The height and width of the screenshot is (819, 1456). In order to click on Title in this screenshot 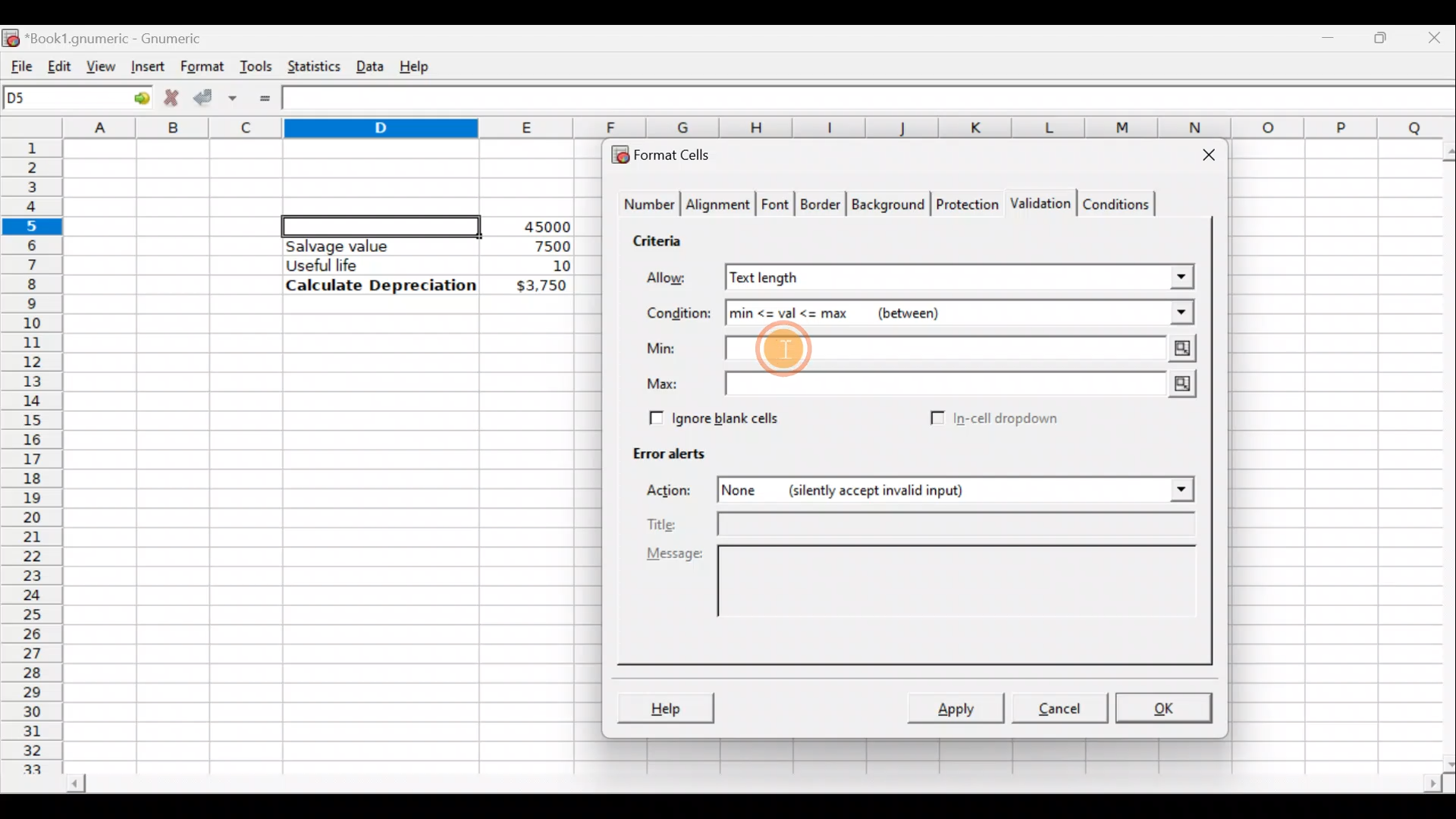, I will do `click(922, 526)`.